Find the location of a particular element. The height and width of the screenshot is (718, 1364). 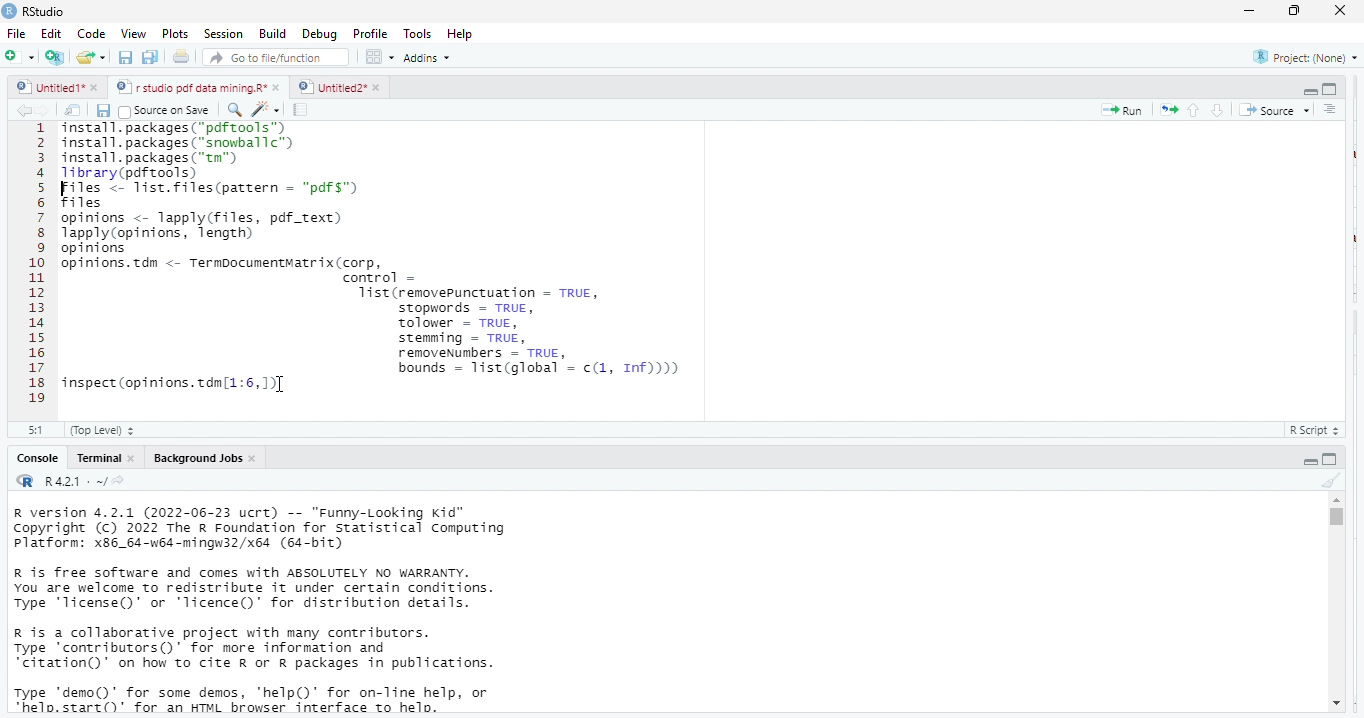

close is located at coordinates (1342, 11).